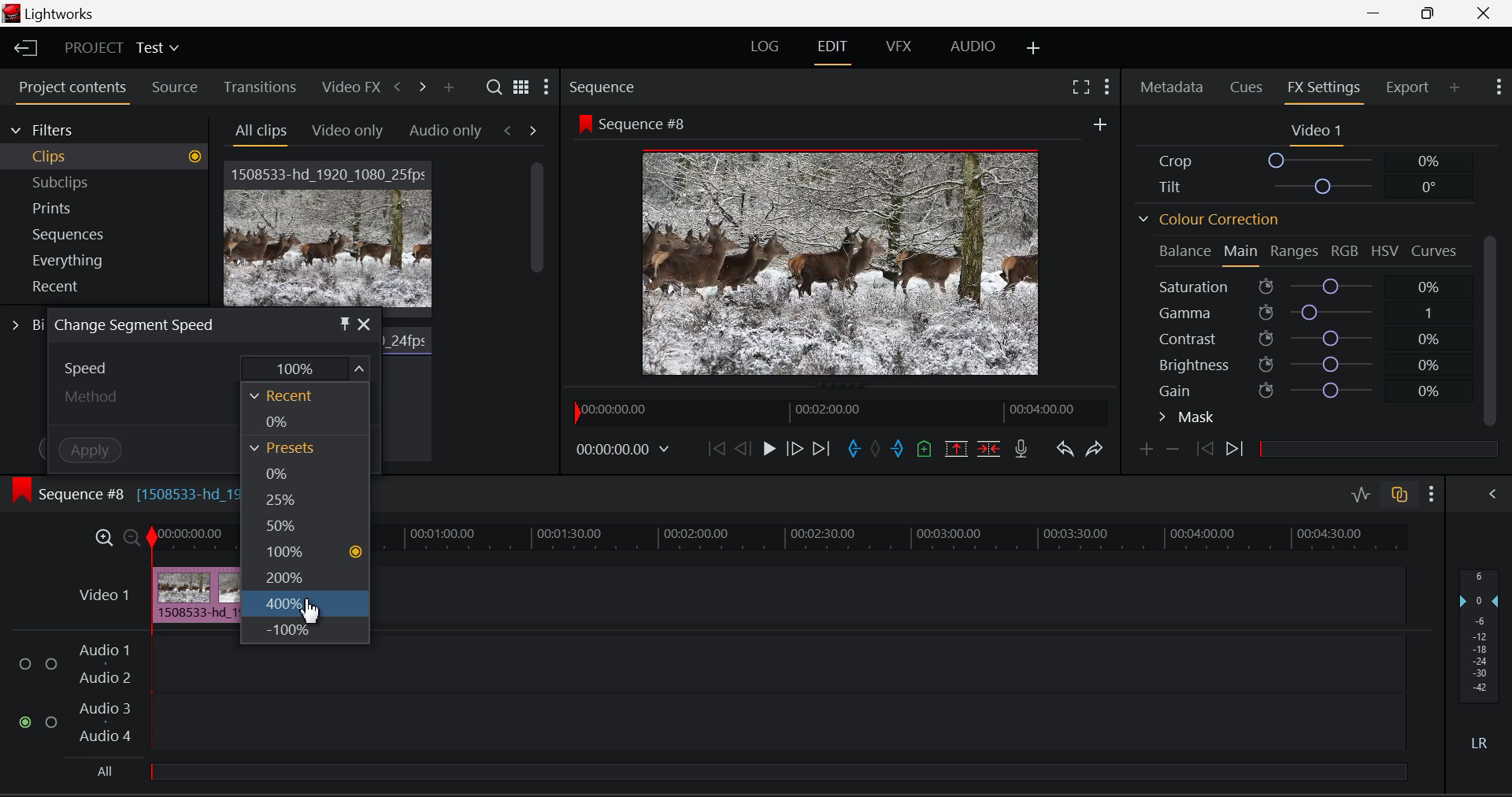 This screenshot has height=797, width=1512. I want to click on 0%, so click(296, 422).